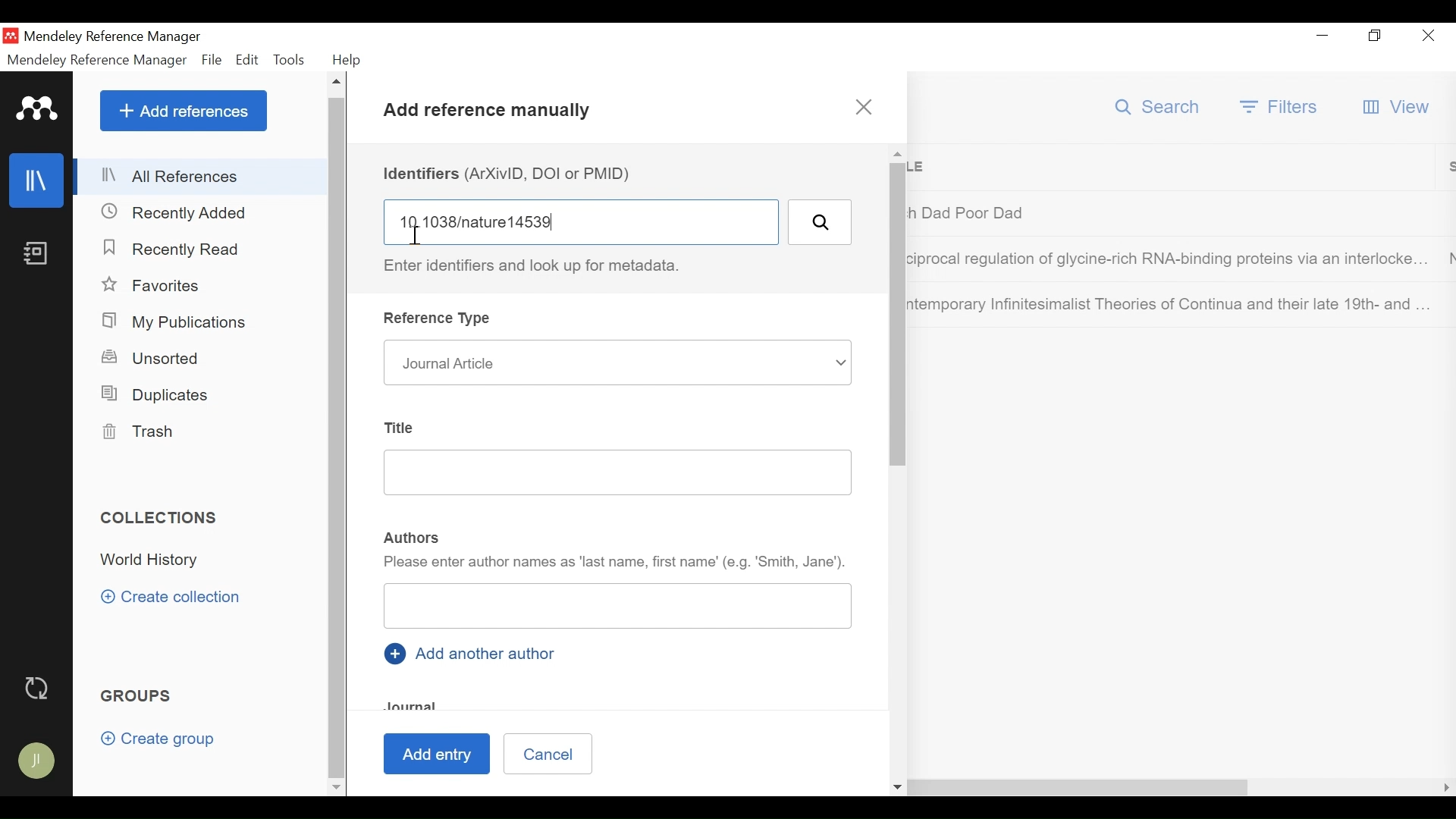 The height and width of the screenshot is (819, 1456). I want to click on Trash, so click(139, 432).